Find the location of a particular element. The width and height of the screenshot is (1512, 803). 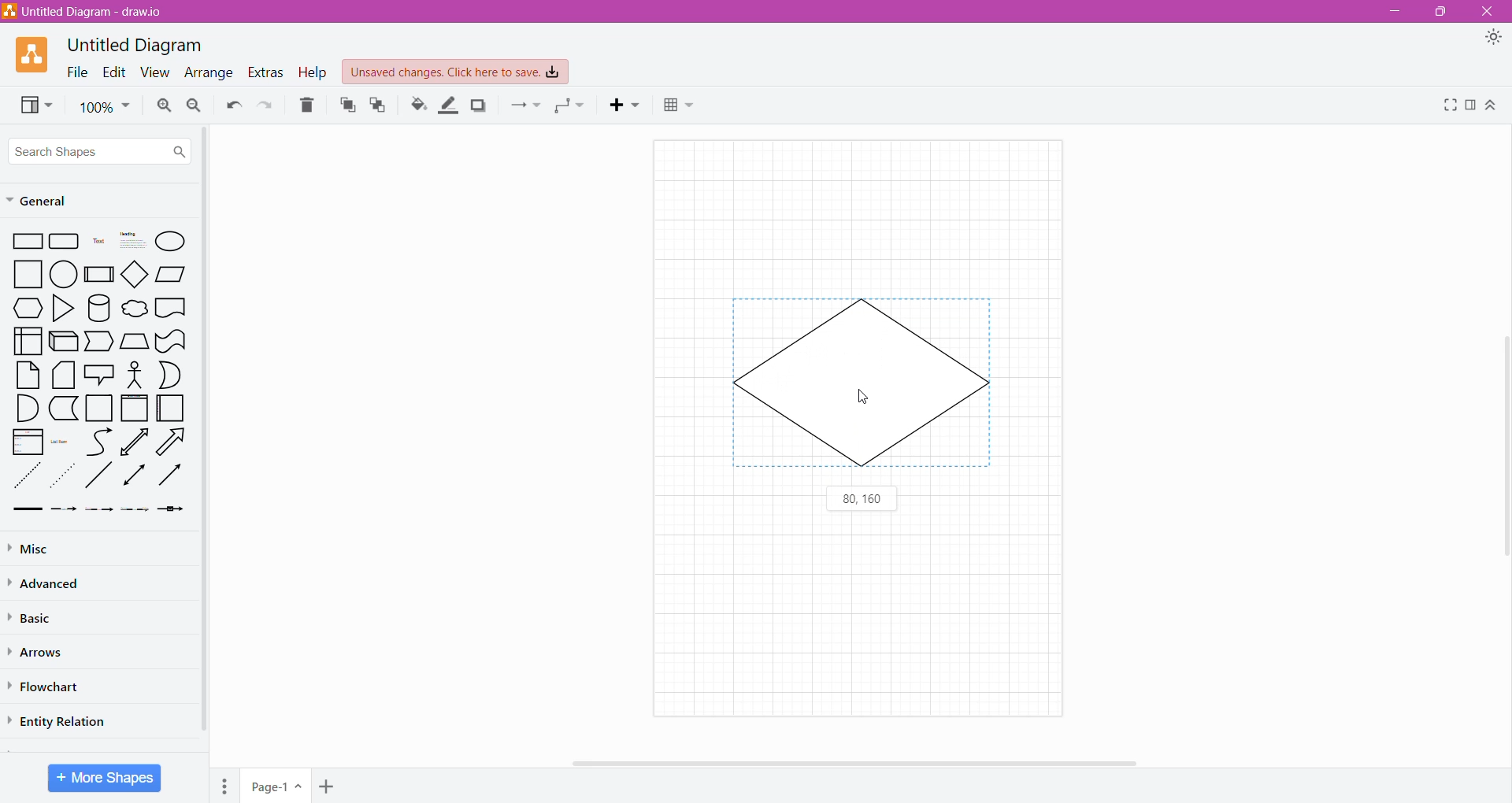

Arrow is located at coordinates (174, 444).